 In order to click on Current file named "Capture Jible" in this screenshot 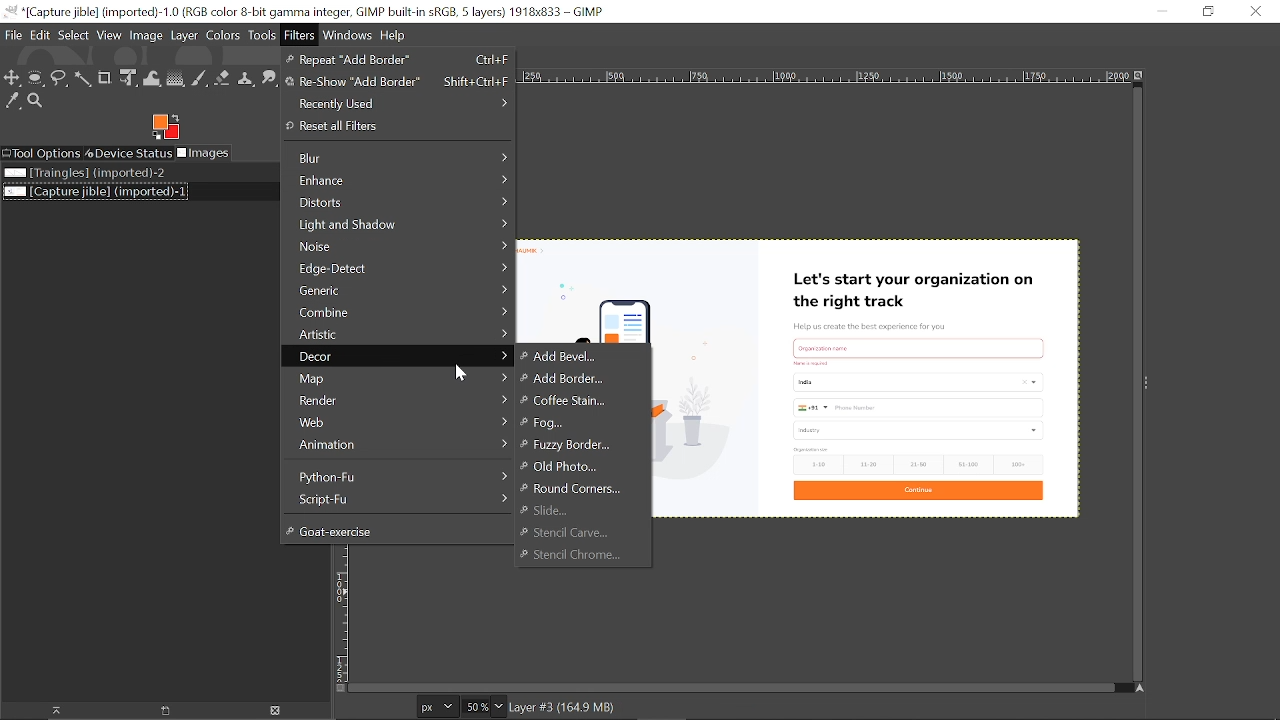, I will do `click(96, 191)`.